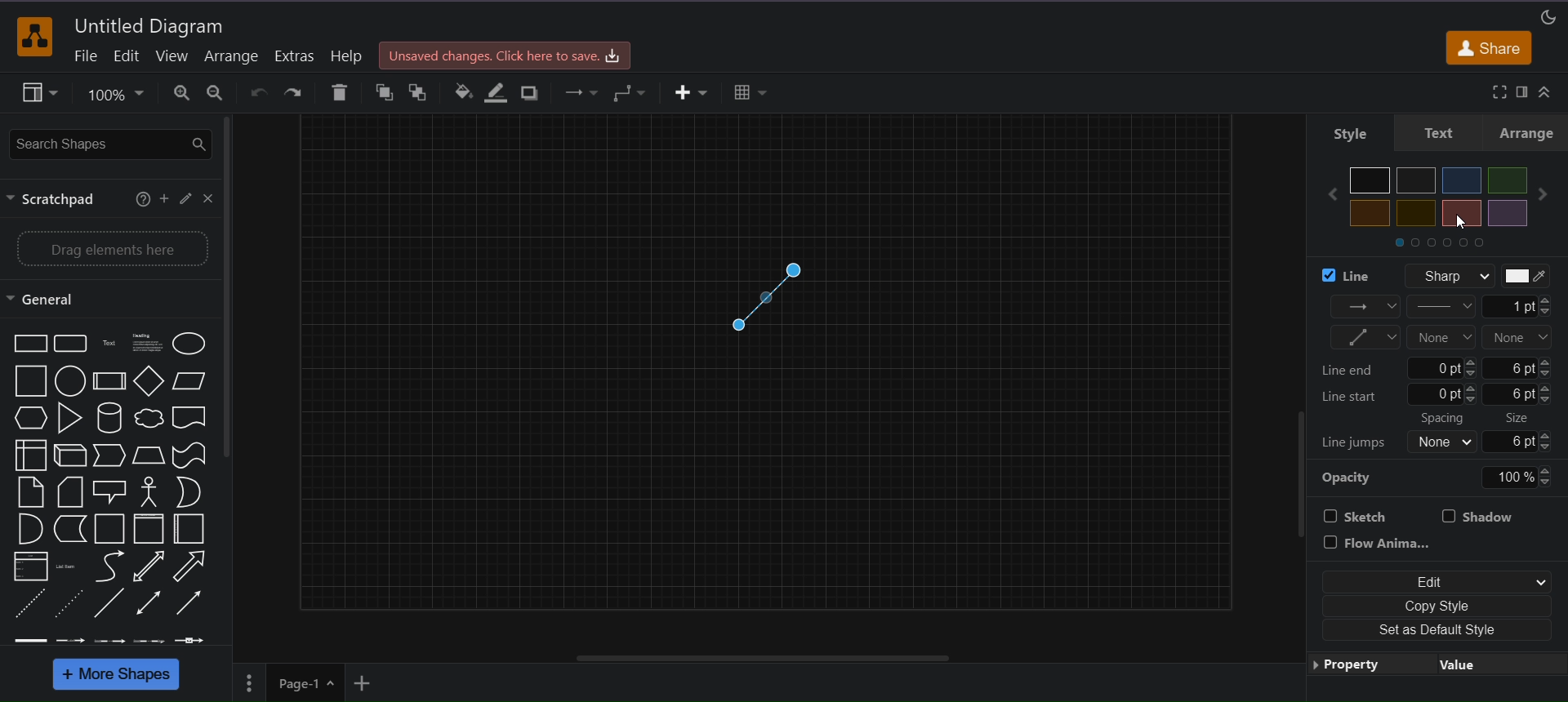 The image size is (1568, 702). I want to click on logo, so click(33, 36).